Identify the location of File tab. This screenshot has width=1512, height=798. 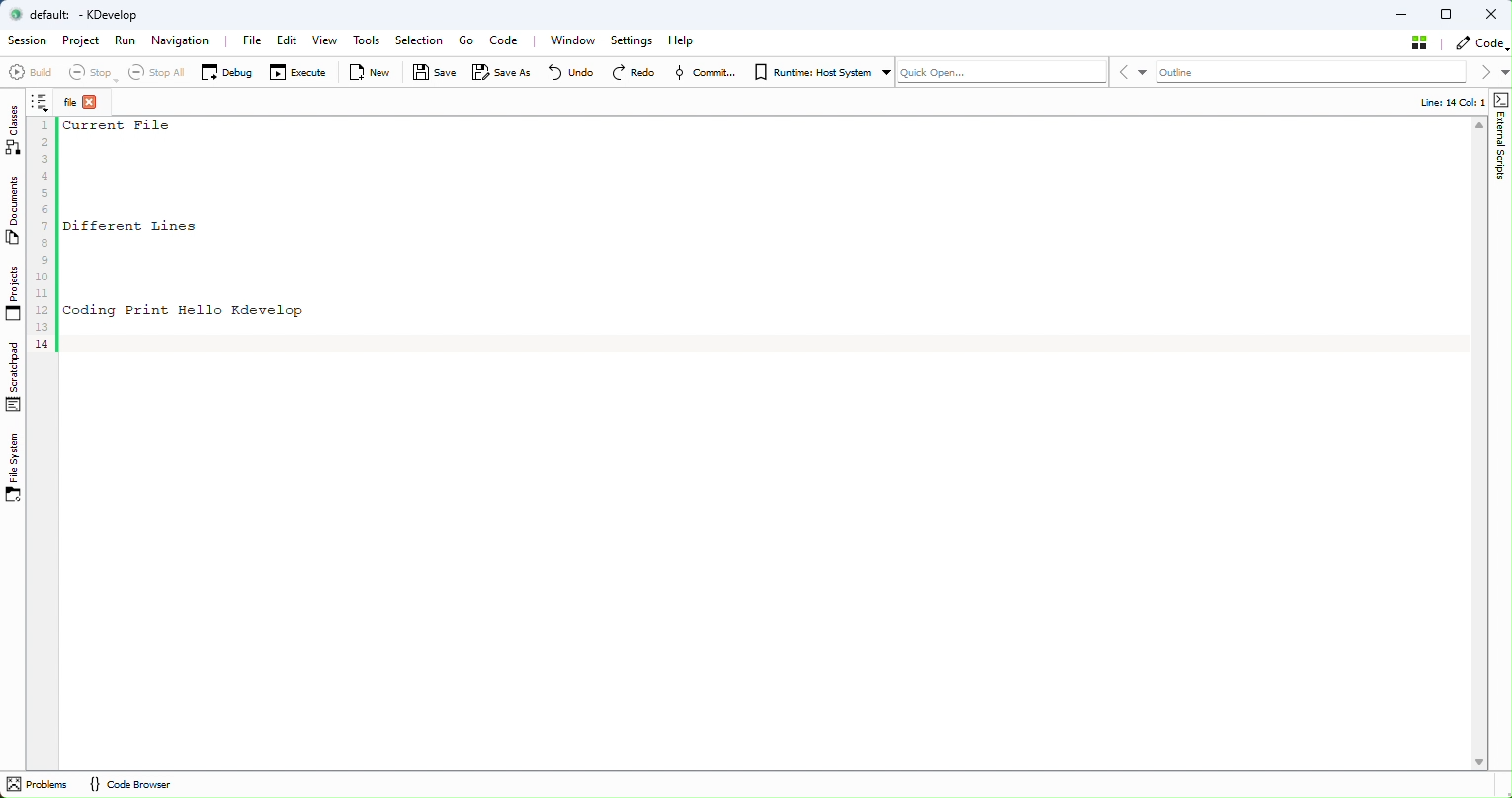
(83, 104).